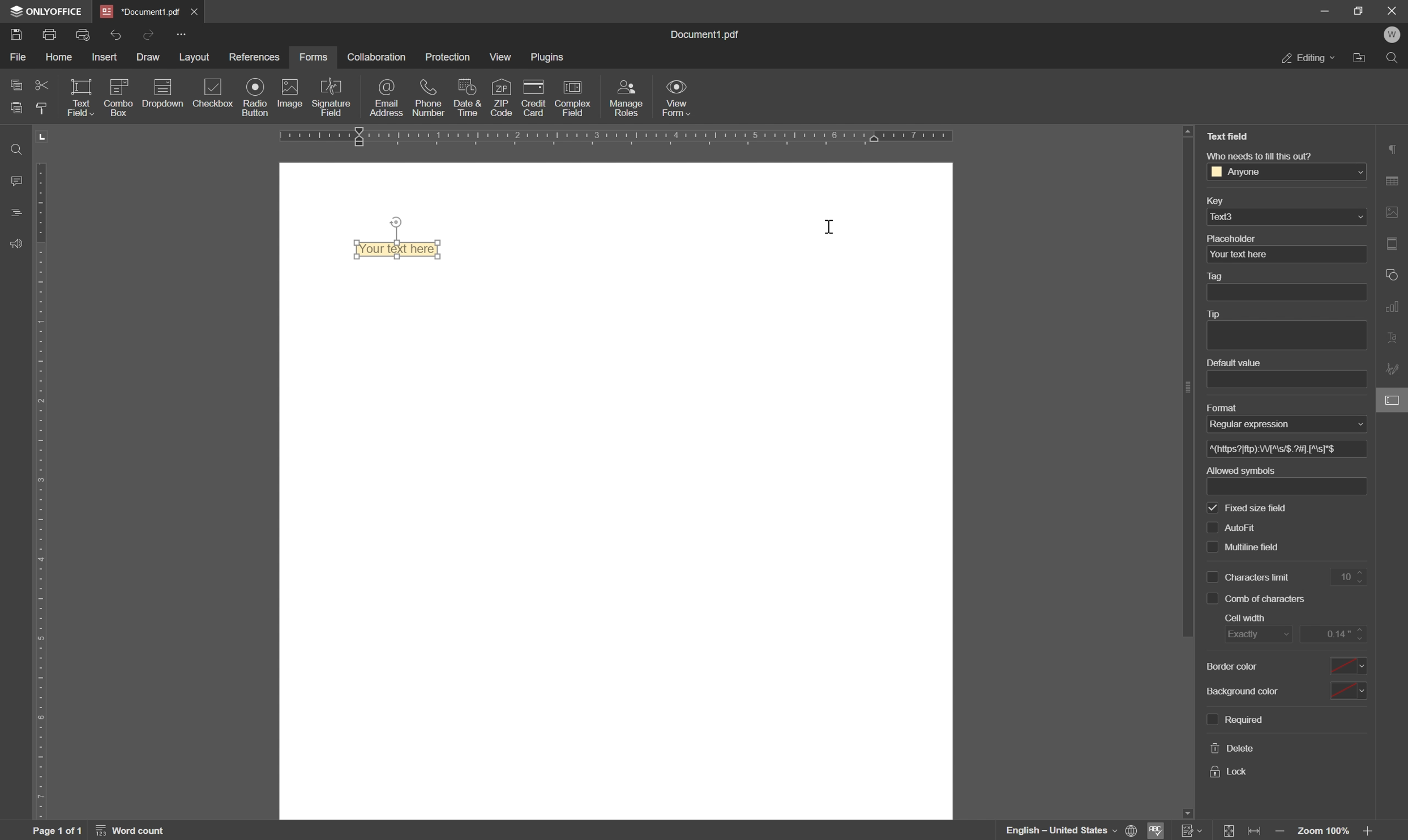 The width and height of the screenshot is (1408, 840). Describe the element at coordinates (1183, 392) in the screenshot. I see `scroll bar` at that location.